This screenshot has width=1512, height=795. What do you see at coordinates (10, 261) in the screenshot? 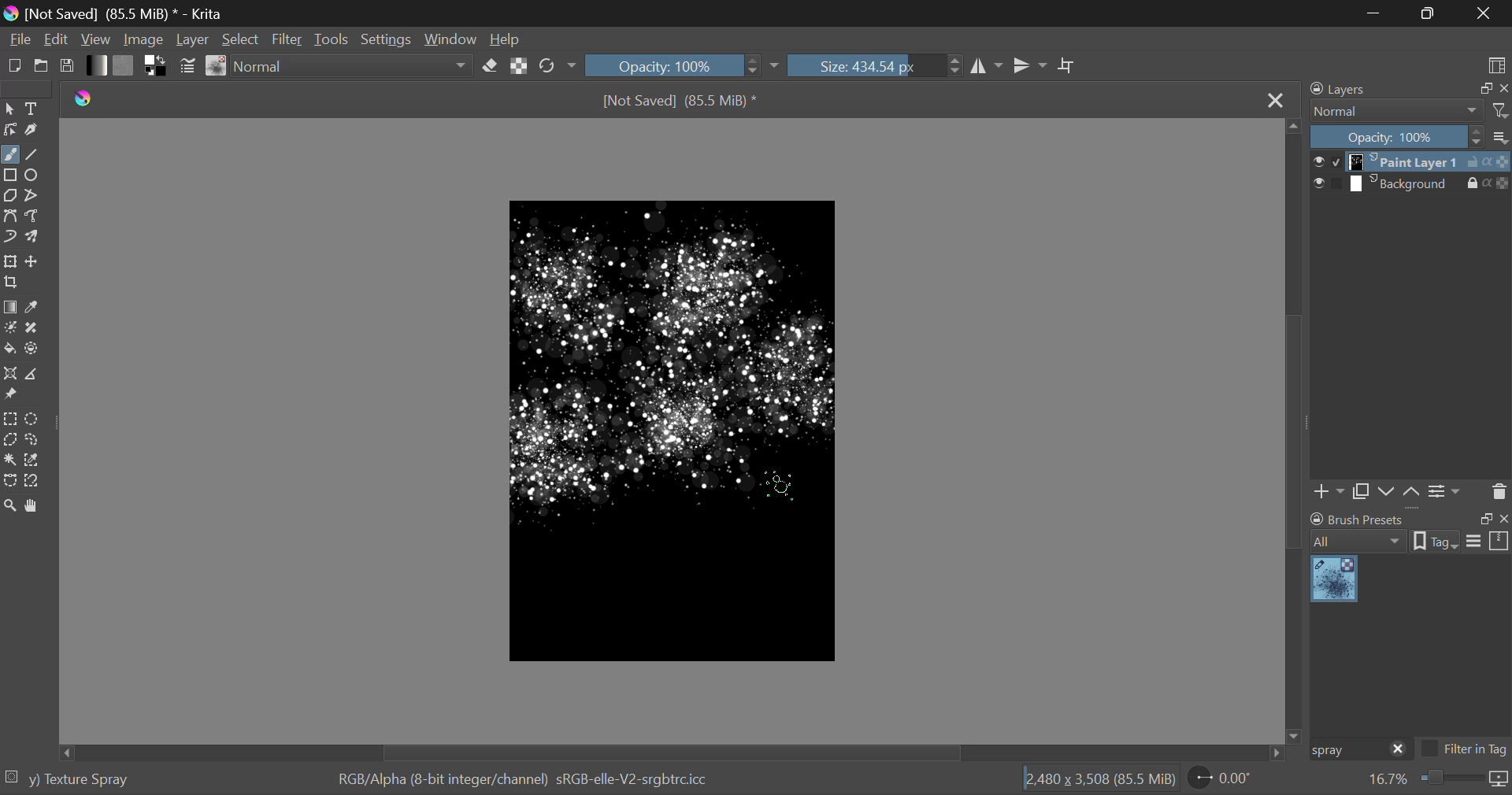
I see `Transform Layer` at bounding box center [10, 261].